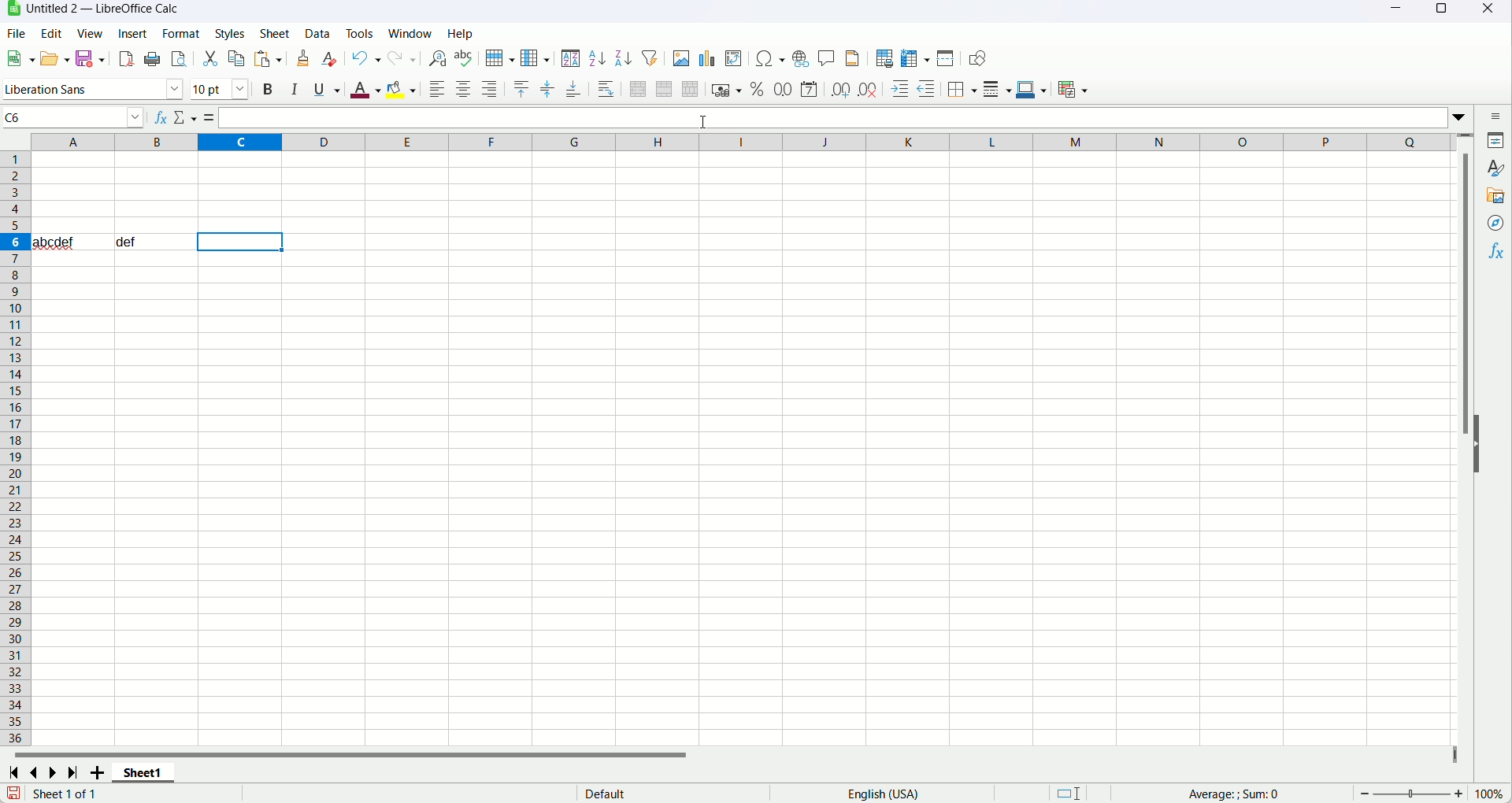  Describe the element at coordinates (438, 58) in the screenshot. I see `find and replace` at that location.